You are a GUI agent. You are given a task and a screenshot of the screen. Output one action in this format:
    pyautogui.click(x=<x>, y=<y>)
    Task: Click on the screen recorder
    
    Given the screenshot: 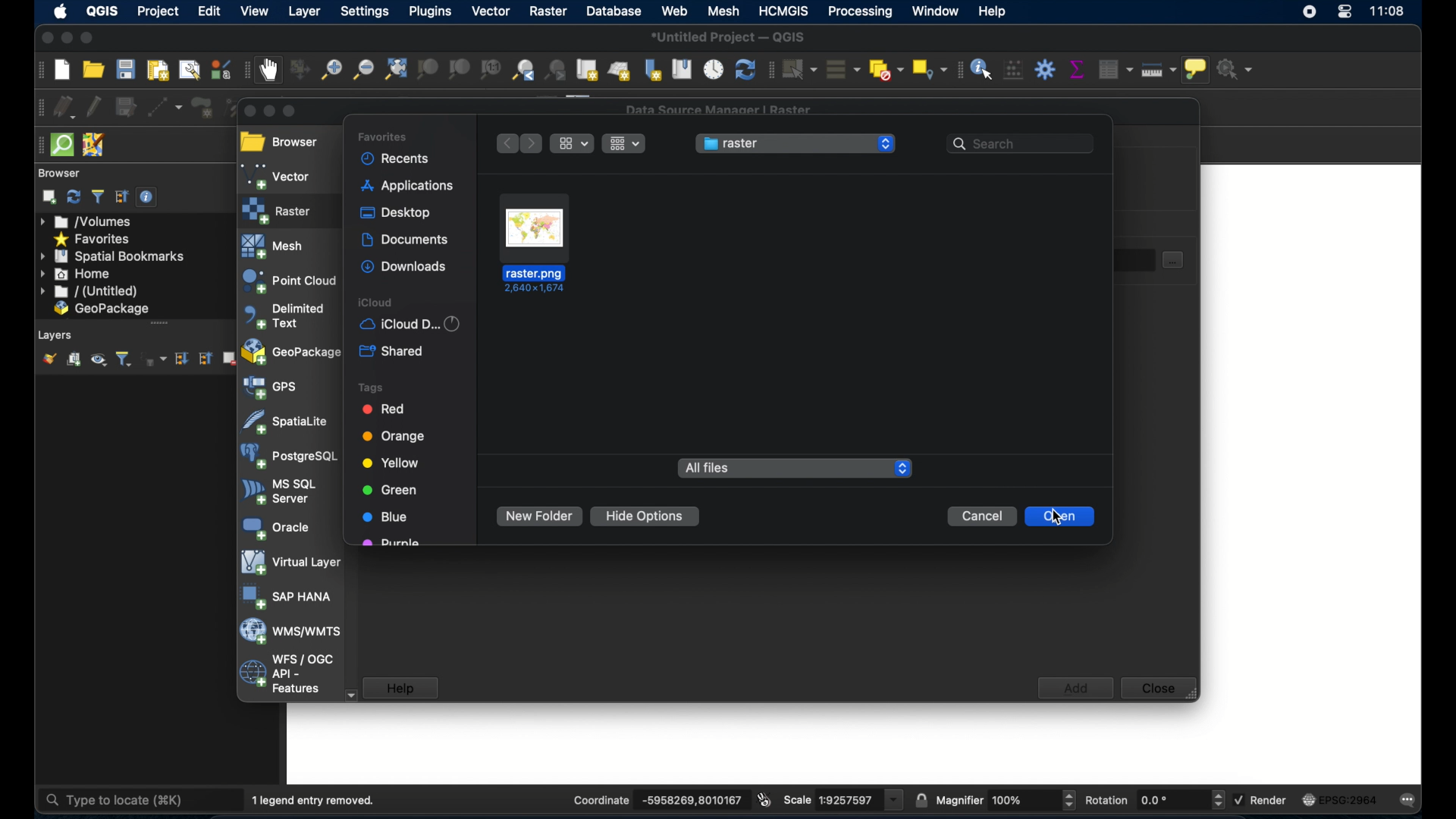 What is the action you would take?
    pyautogui.click(x=1311, y=14)
    